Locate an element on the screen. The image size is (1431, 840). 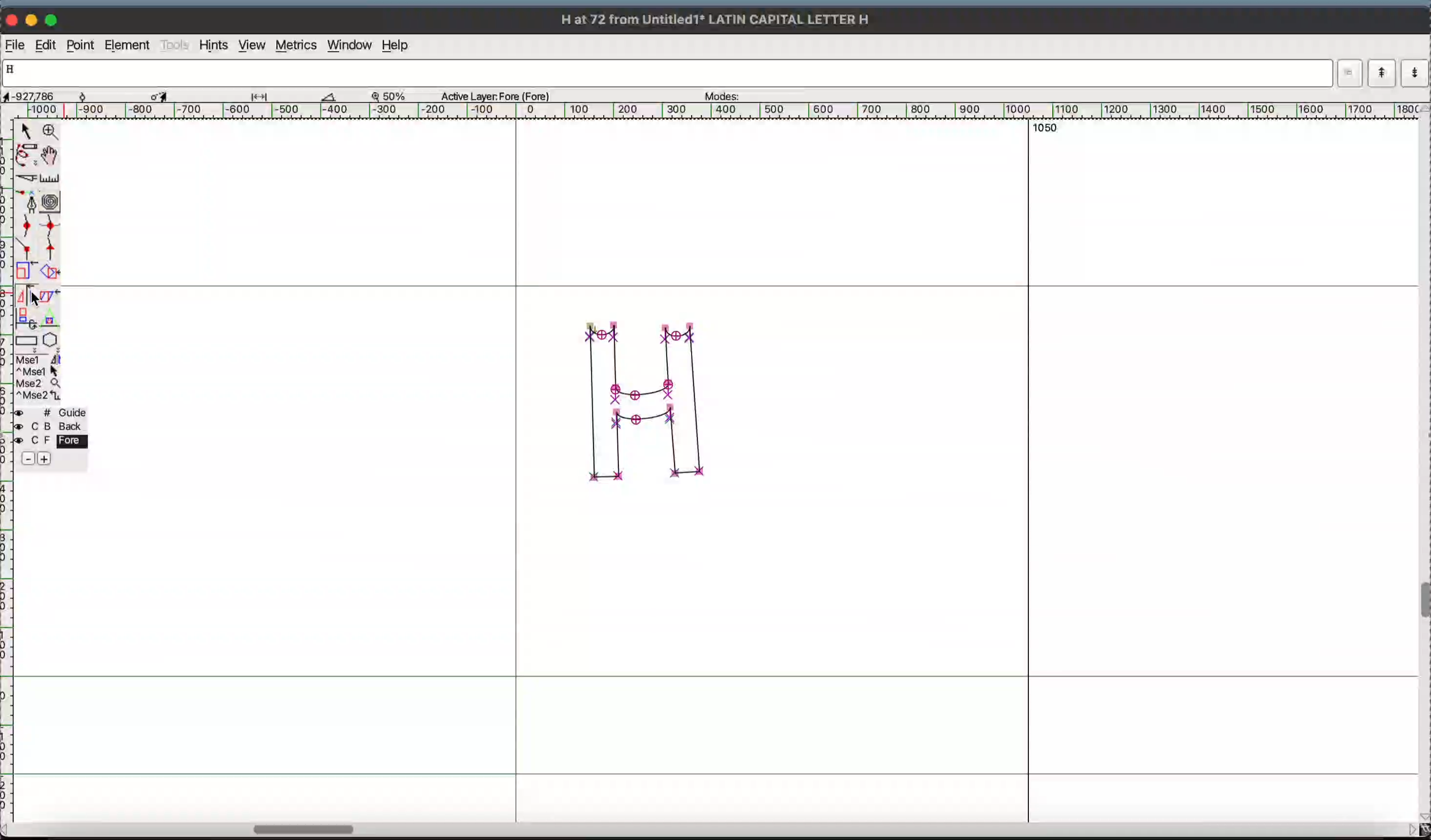
point is located at coordinates (26, 130).